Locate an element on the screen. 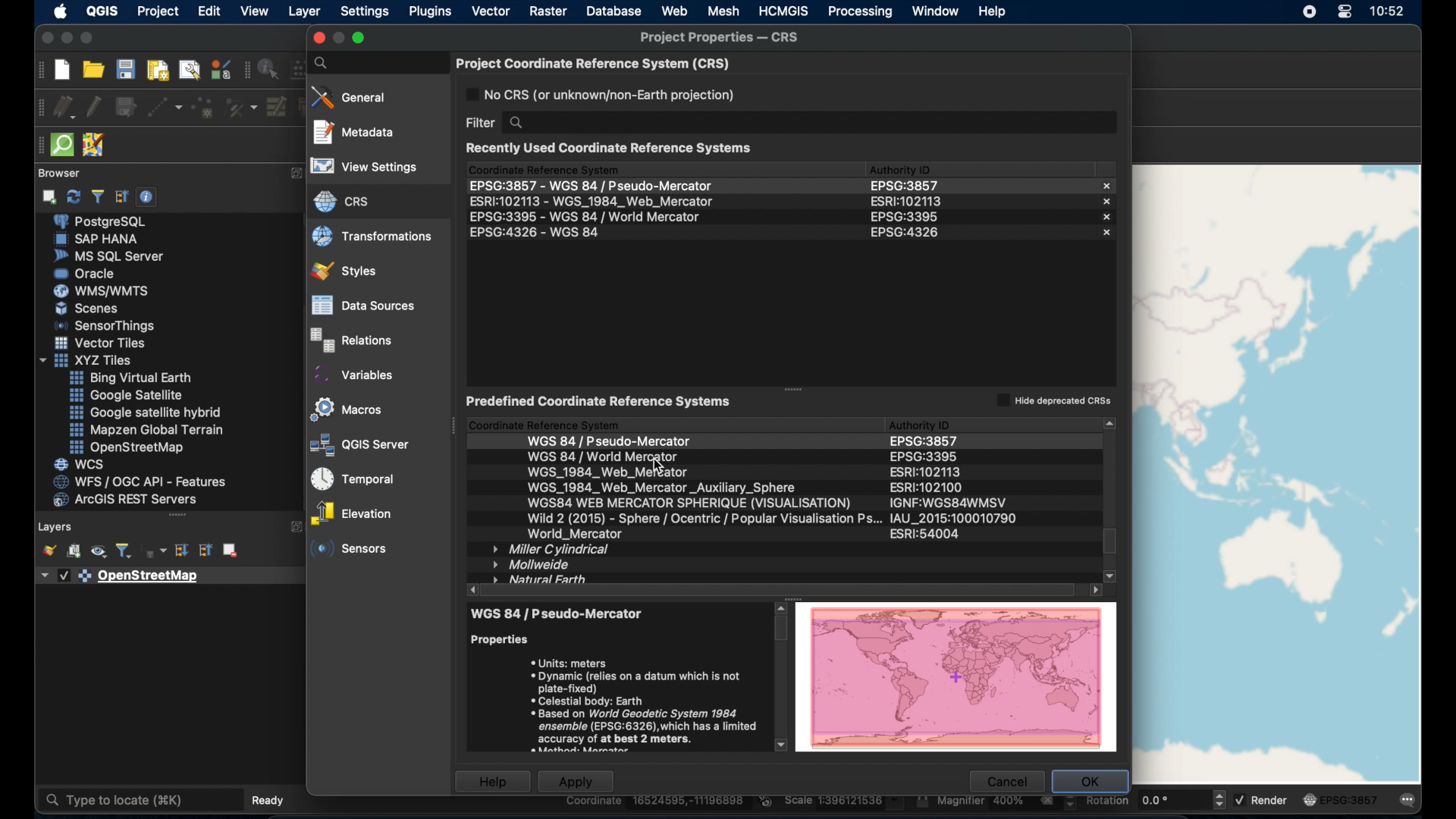 The width and height of the screenshot is (1456, 819). identify feature is located at coordinates (269, 72).